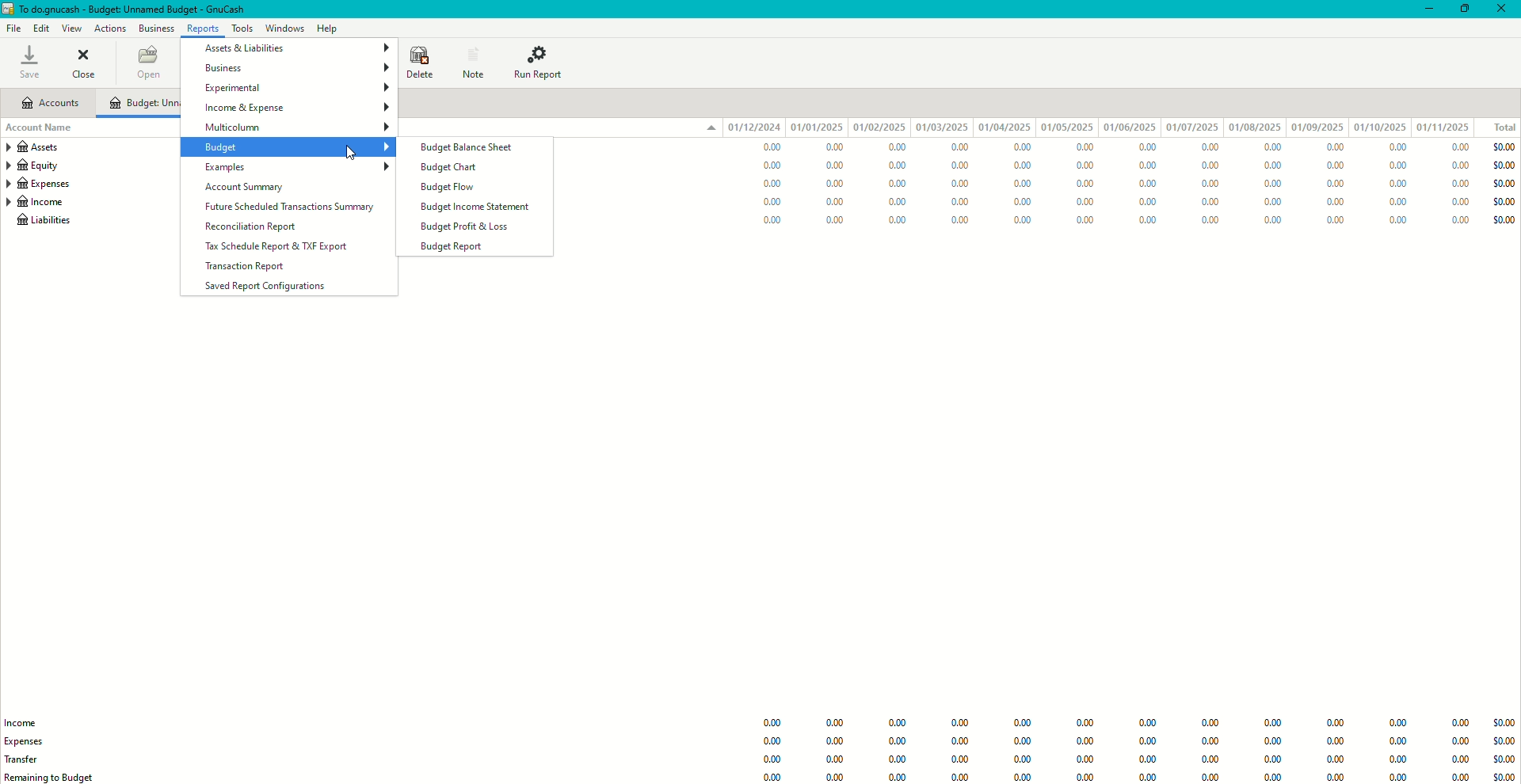  What do you see at coordinates (1461, 777) in the screenshot?
I see `0.00` at bounding box center [1461, 777].